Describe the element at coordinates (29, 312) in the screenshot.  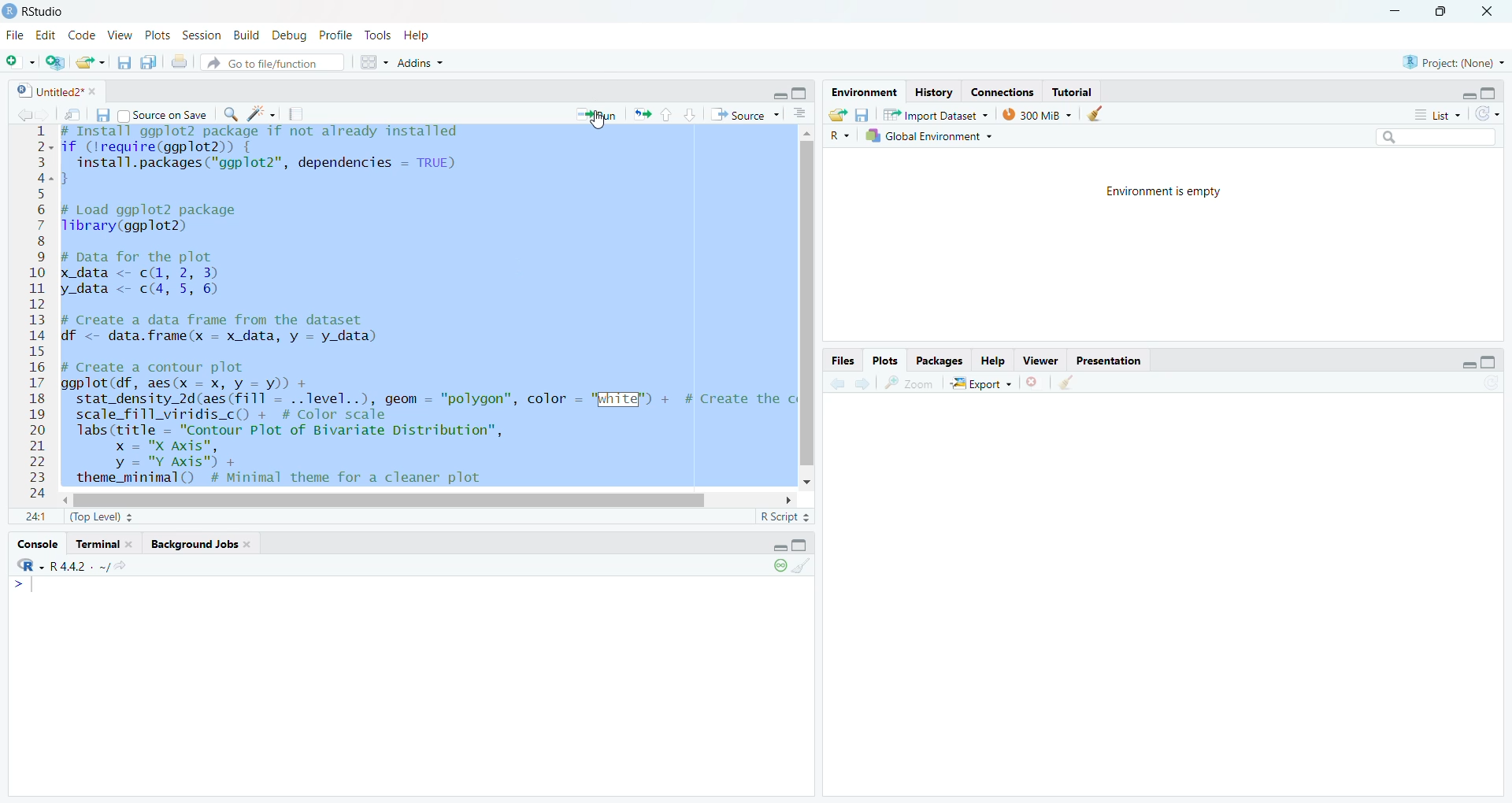
I see `12345678910at12131415161718192021222324` at that location.